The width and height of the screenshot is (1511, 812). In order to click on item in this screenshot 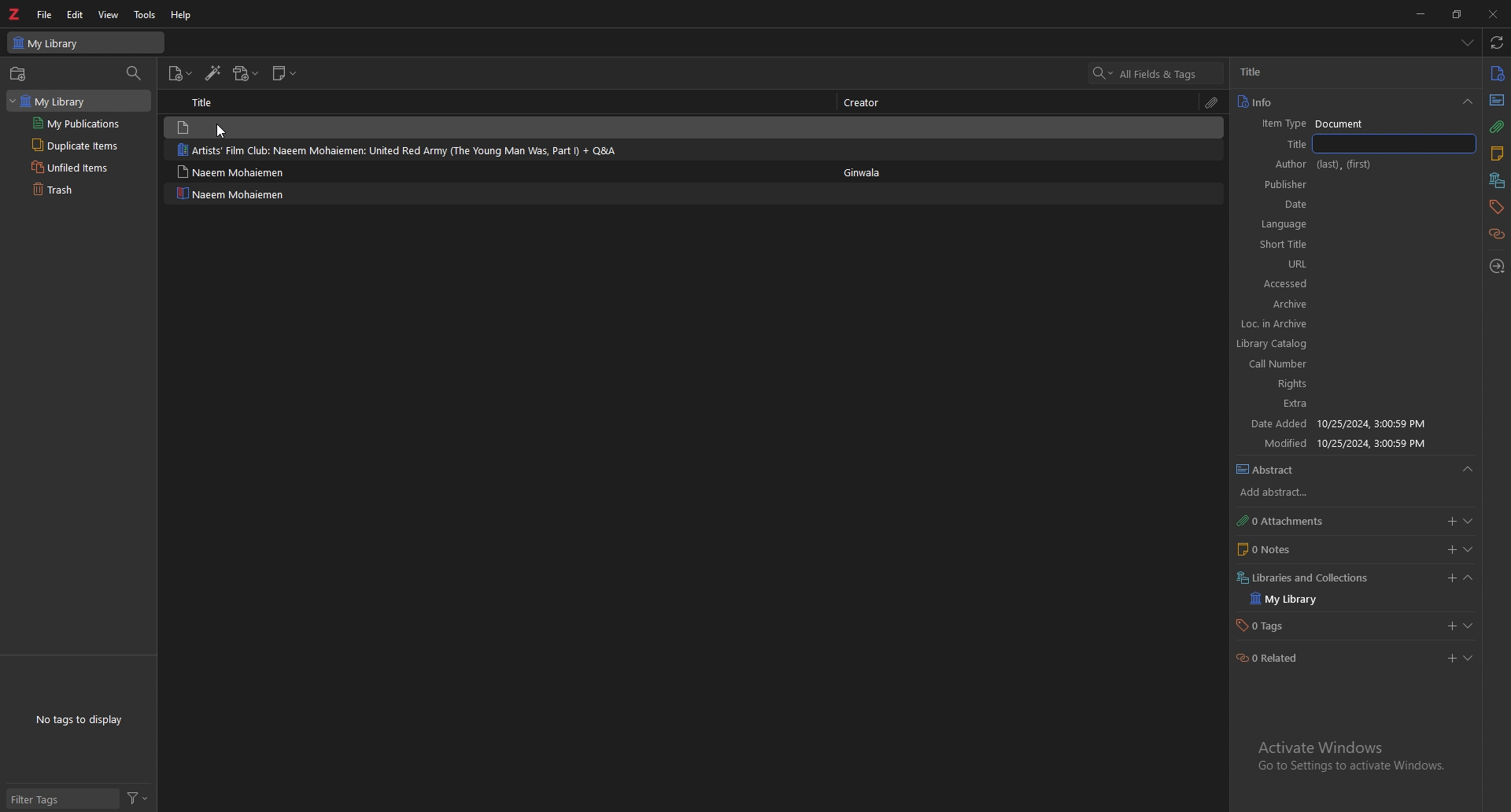, I will do `click(494, 170)`.